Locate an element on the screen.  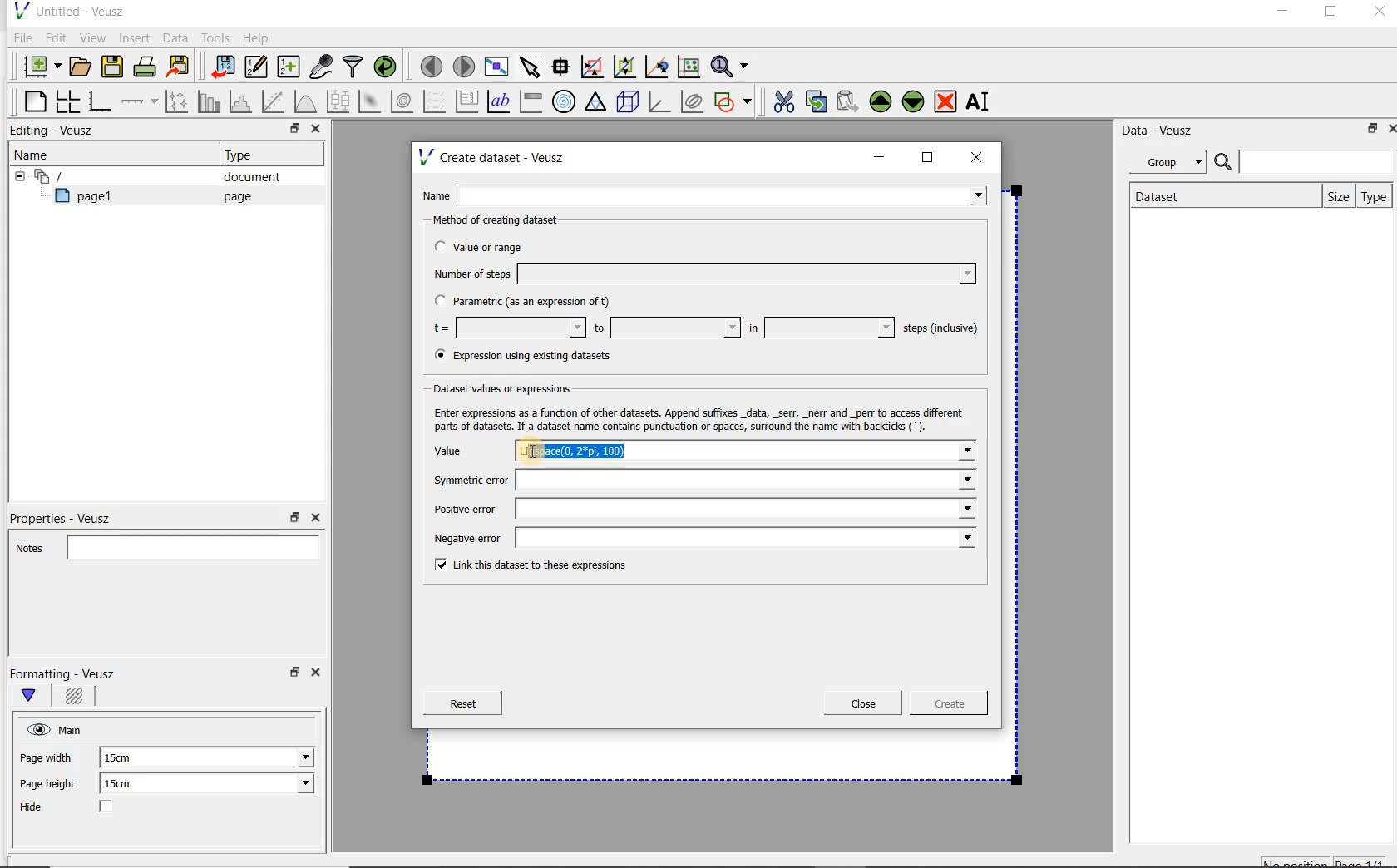
ternary graph is located at coordinates (597, 102).